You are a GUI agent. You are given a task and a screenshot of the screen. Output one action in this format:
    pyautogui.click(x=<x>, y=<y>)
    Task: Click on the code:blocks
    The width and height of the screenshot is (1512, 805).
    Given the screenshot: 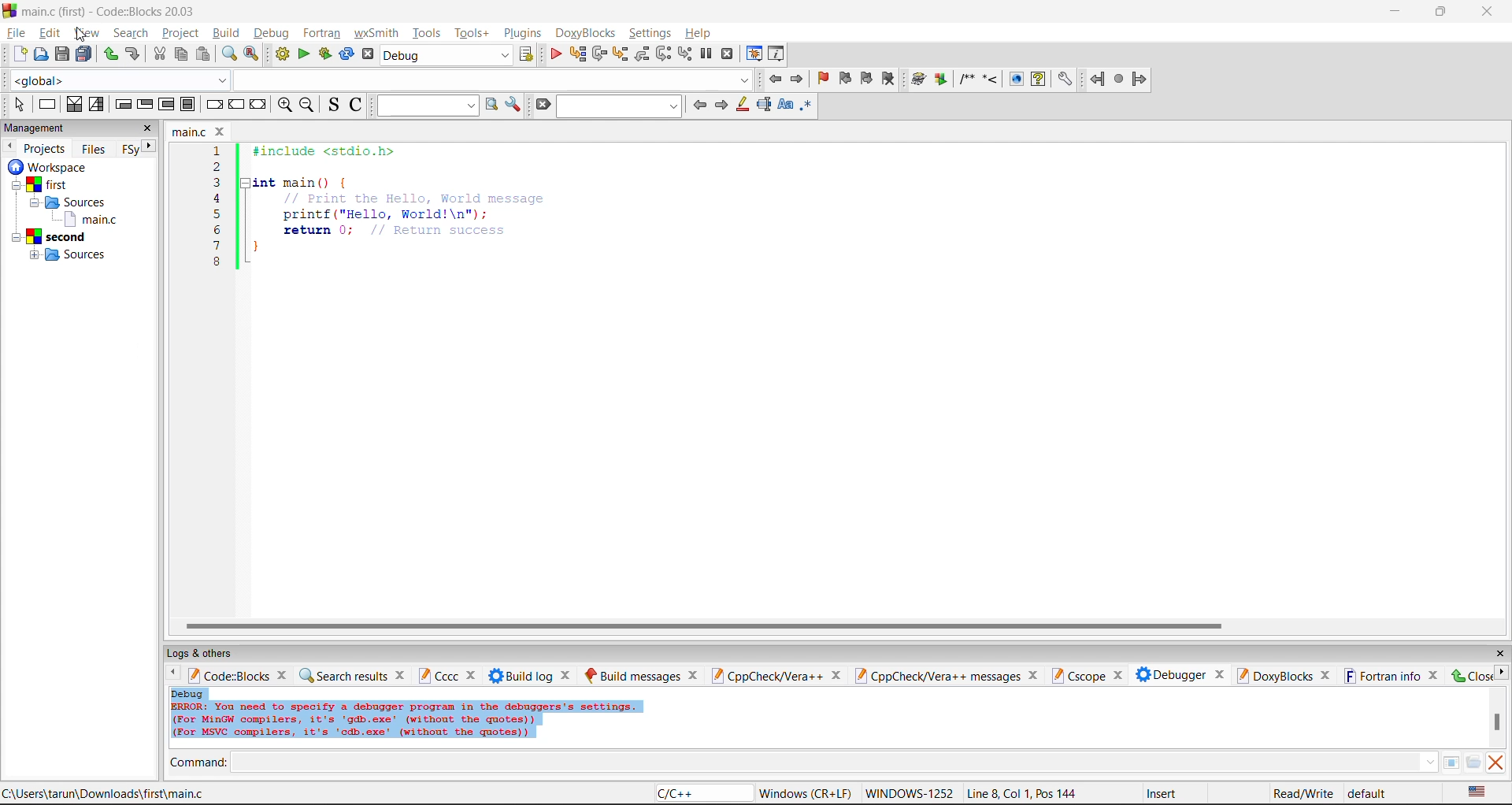 What is the action you would take?
    pyautogui.click(x=239, y=676)
    